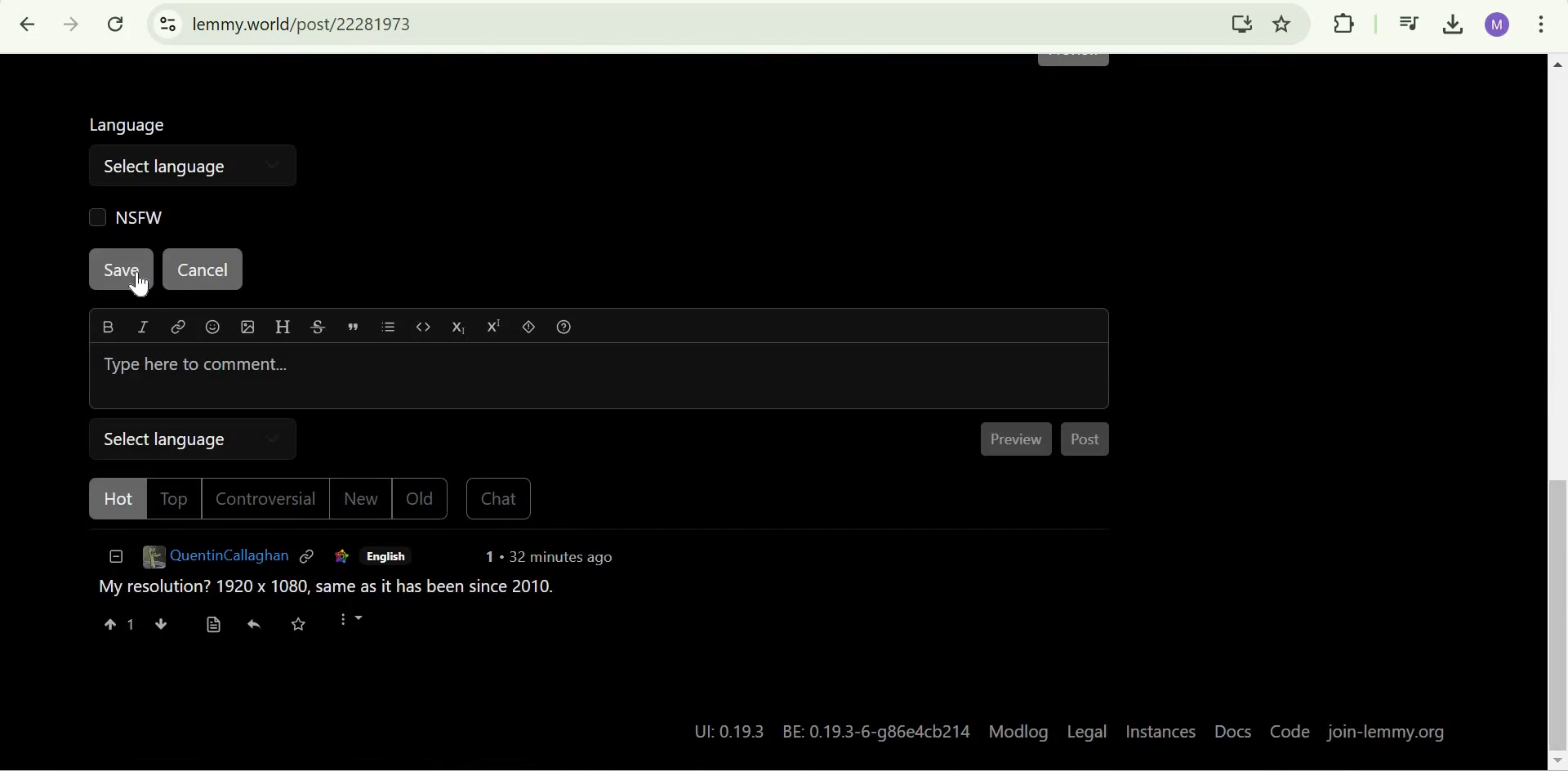  Describe the element at coordinates (550, 560) in the screenshot. I see `1 . 32 minutes ago` at that location.